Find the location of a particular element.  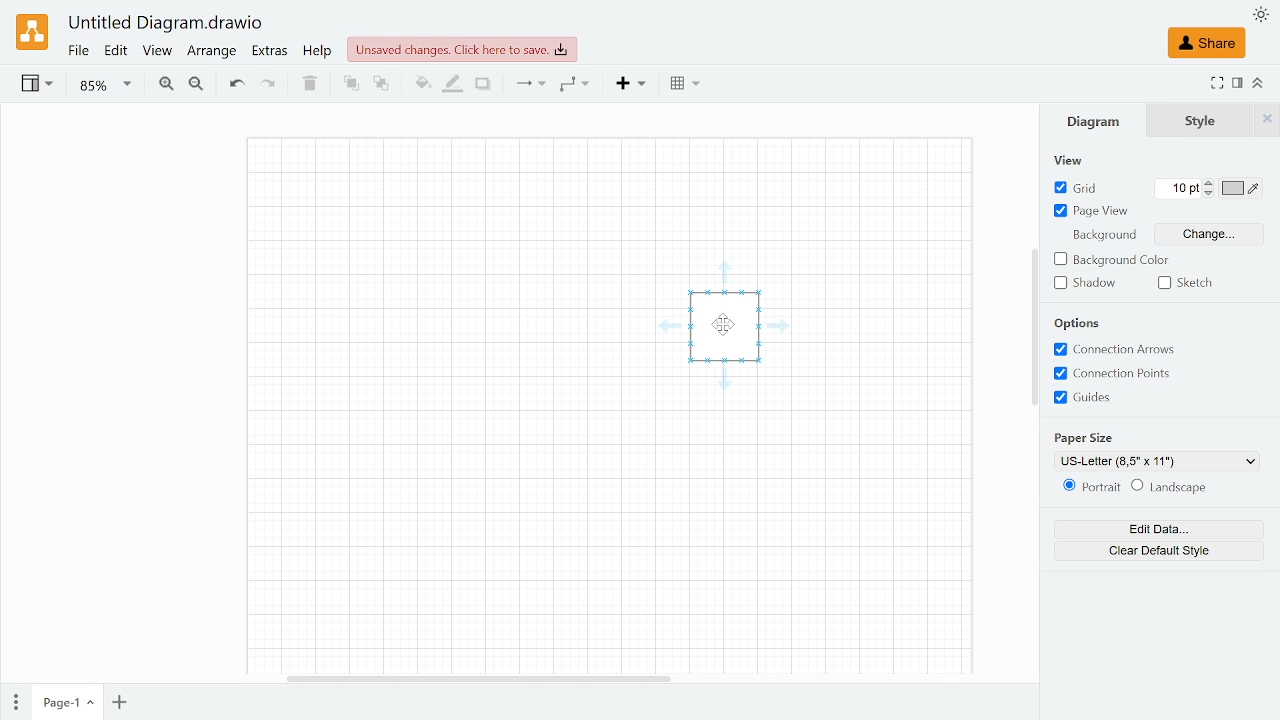

Paper size options is located at coordinates (1254, 461).